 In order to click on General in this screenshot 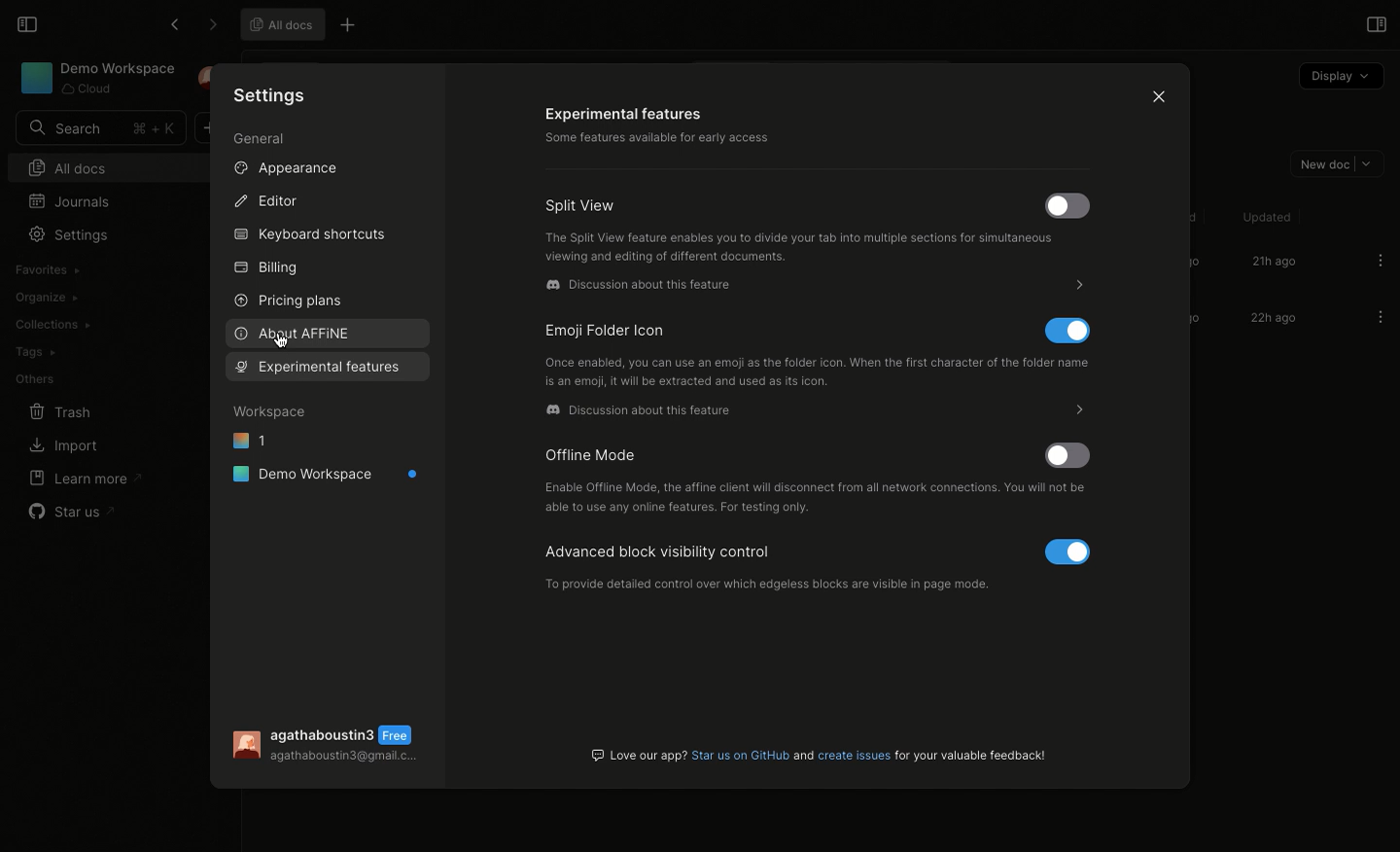, I will do `click(261, 141)`.